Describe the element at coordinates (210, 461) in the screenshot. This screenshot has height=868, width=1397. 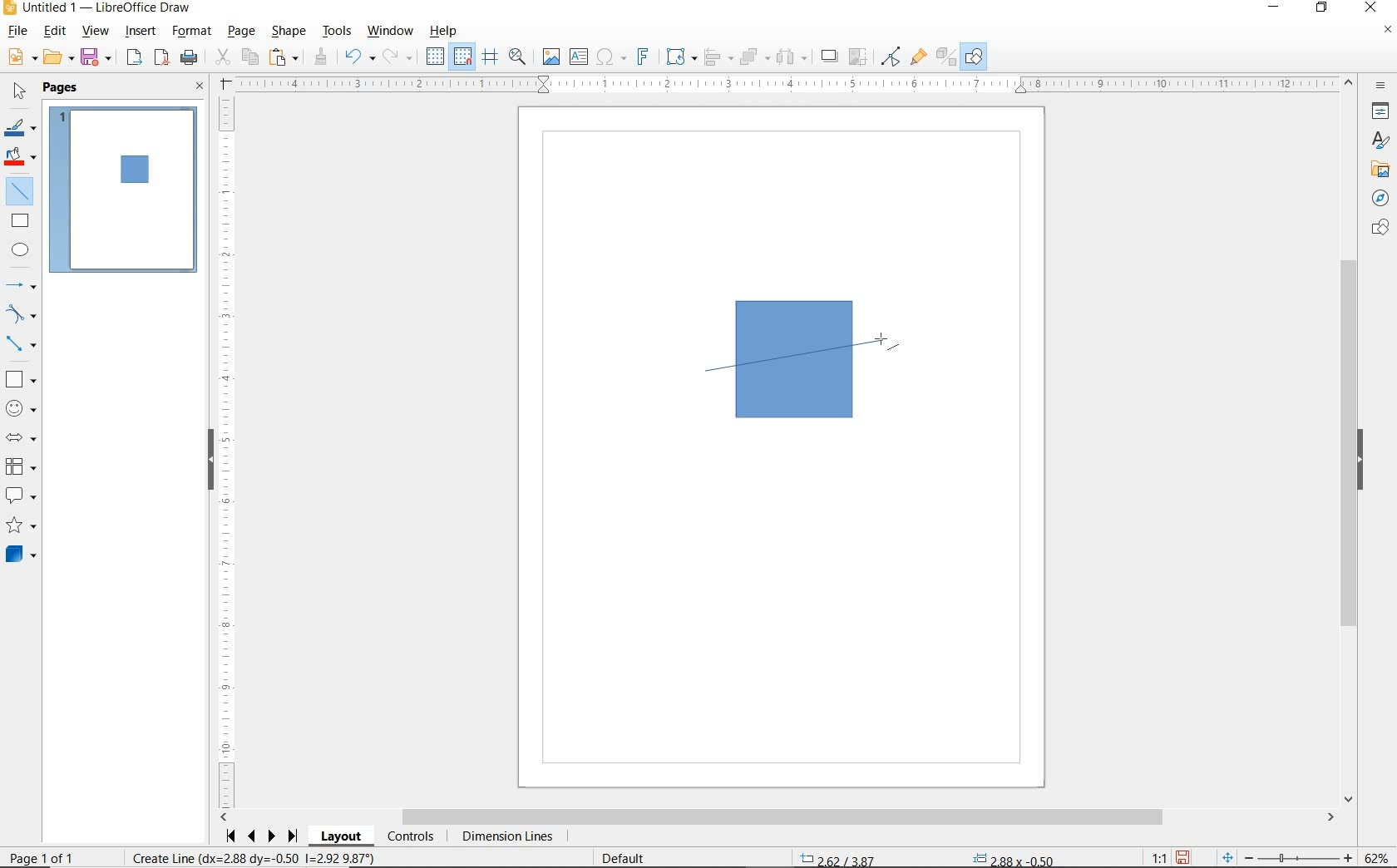
I see `HIDE` at that location.